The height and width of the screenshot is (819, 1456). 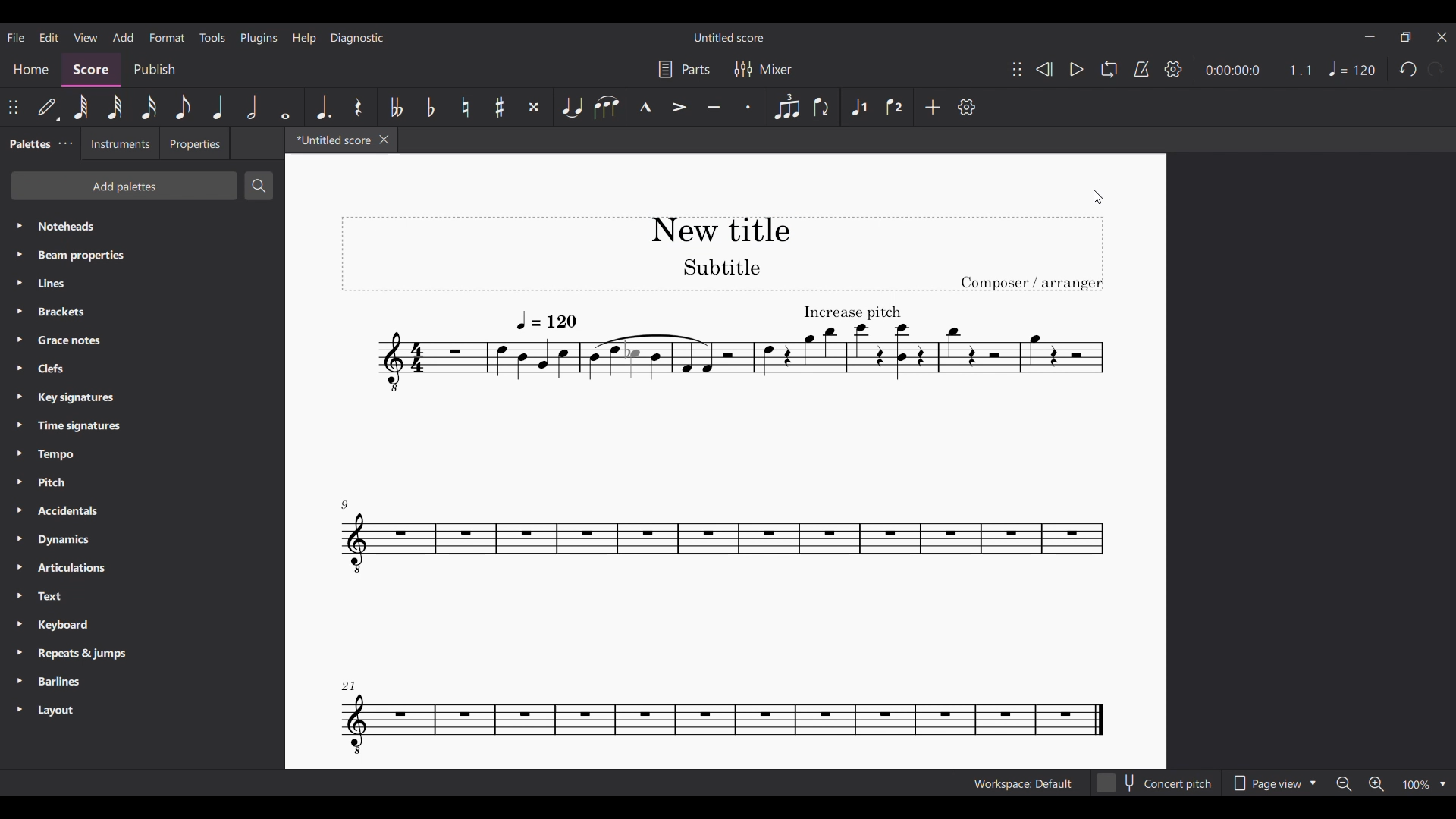 What do you see at coordinates (49, 37) in the screenshot?
I see `Edit menu` at bounding box center [49, 37].